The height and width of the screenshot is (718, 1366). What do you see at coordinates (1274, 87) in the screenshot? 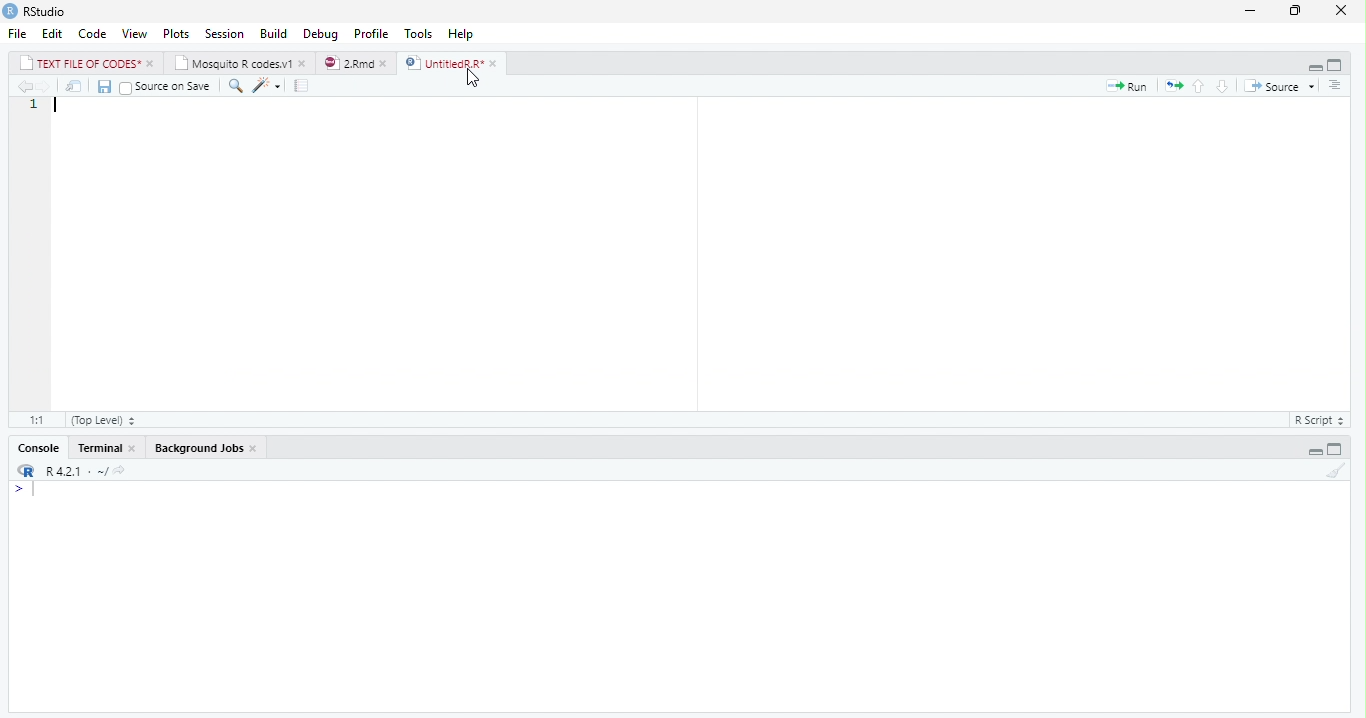
I see `Source` at bounding box center [1274, 87].